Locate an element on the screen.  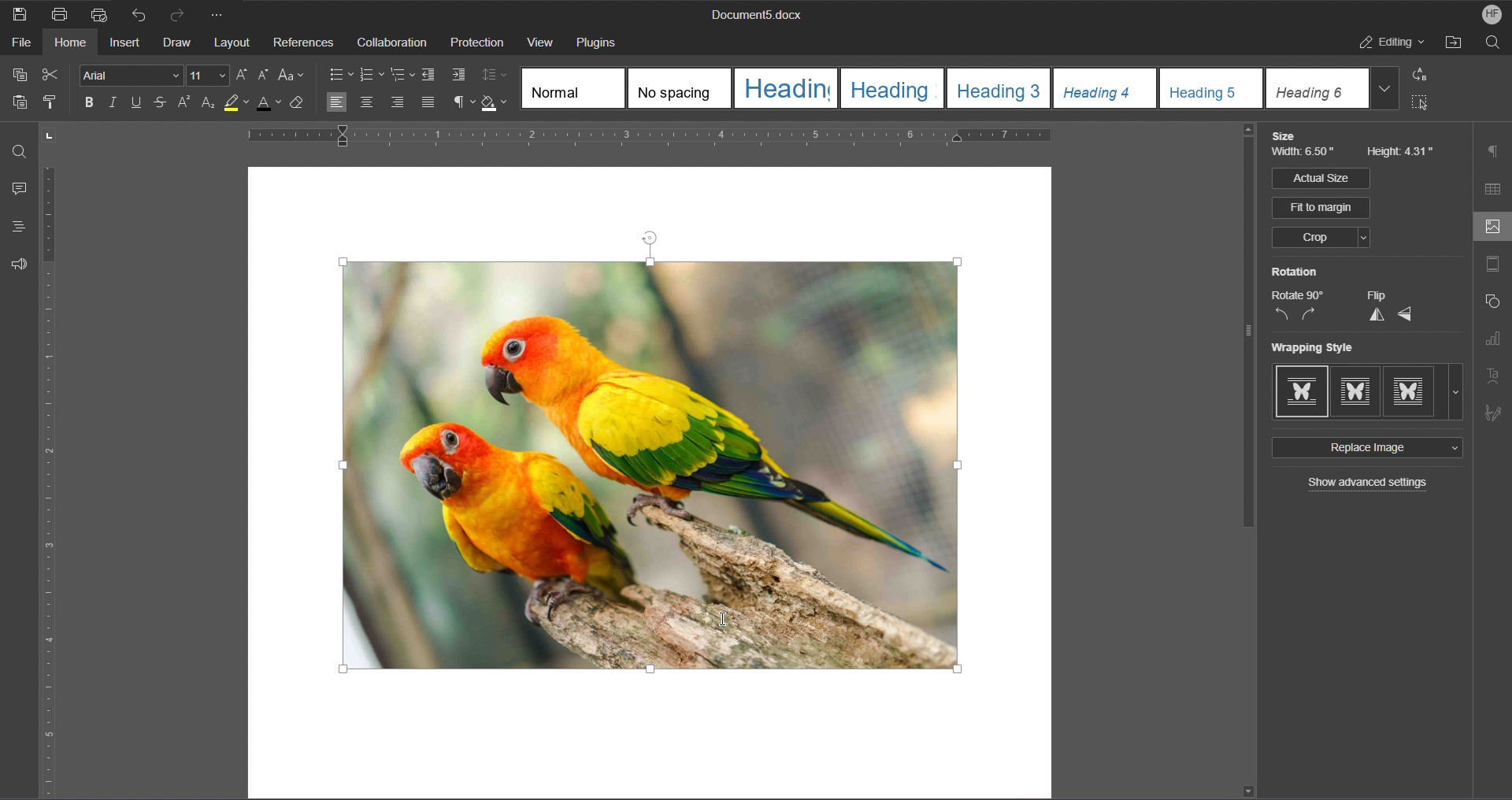
Rotate CCW is located at coordinates (1281, 315).